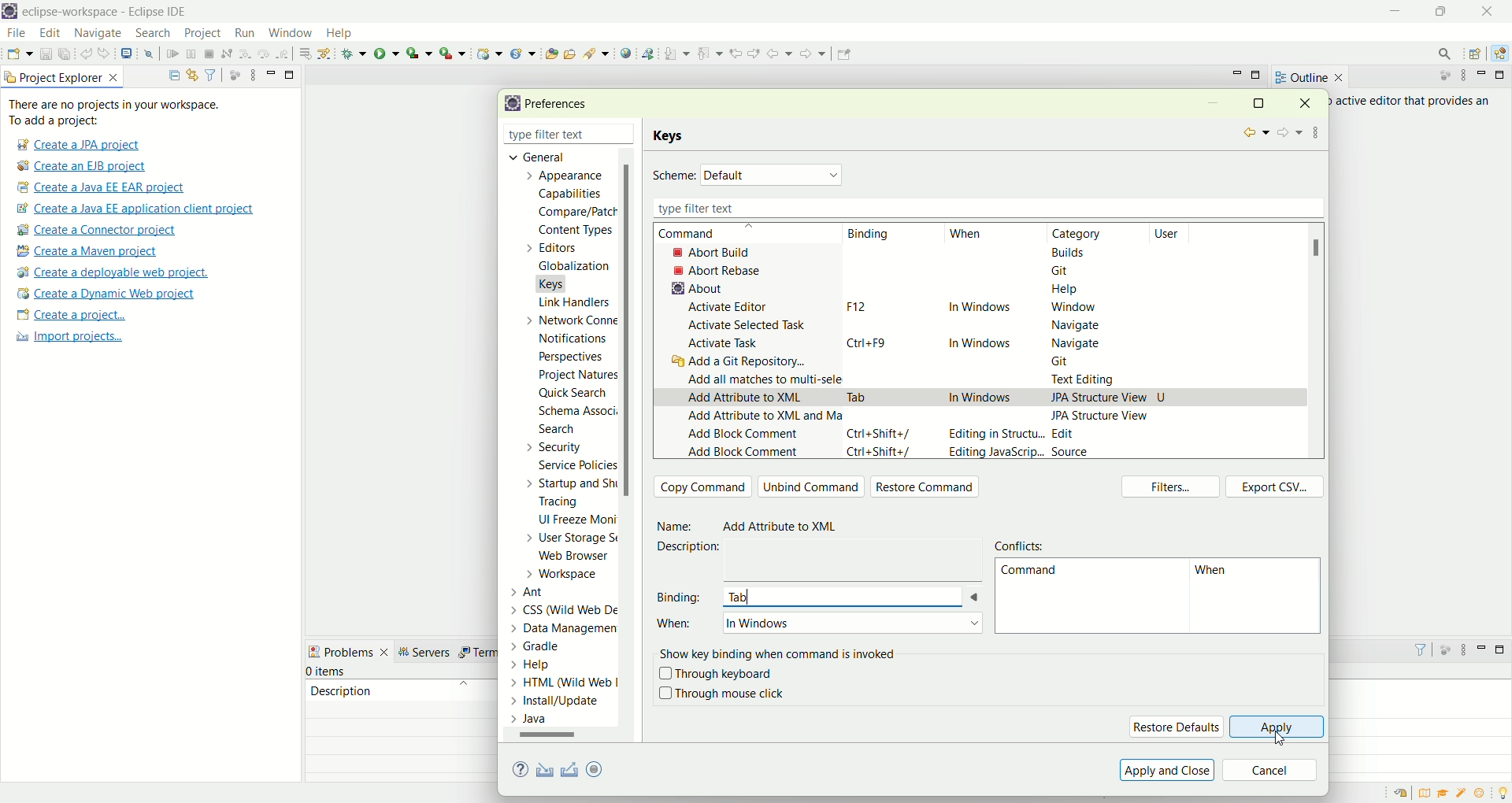  What do you see at coordinates (48, 34) in the screenshot?
I see `edit` at bounding box center [48, 34].